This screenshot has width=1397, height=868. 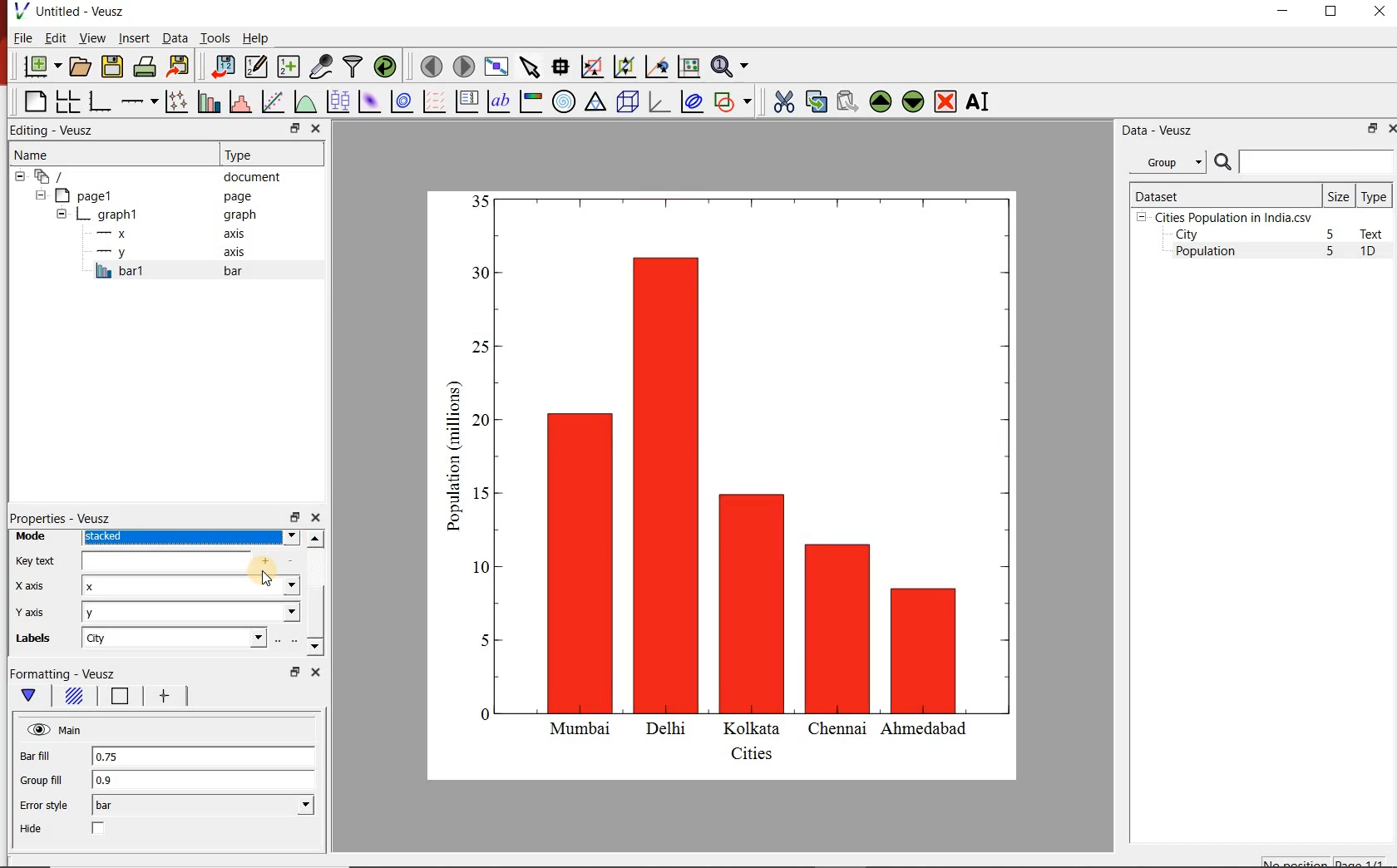 What do you see at coordinates (116, 698) in the screenshot?
I see `Line` at bounding box center [116, 698].